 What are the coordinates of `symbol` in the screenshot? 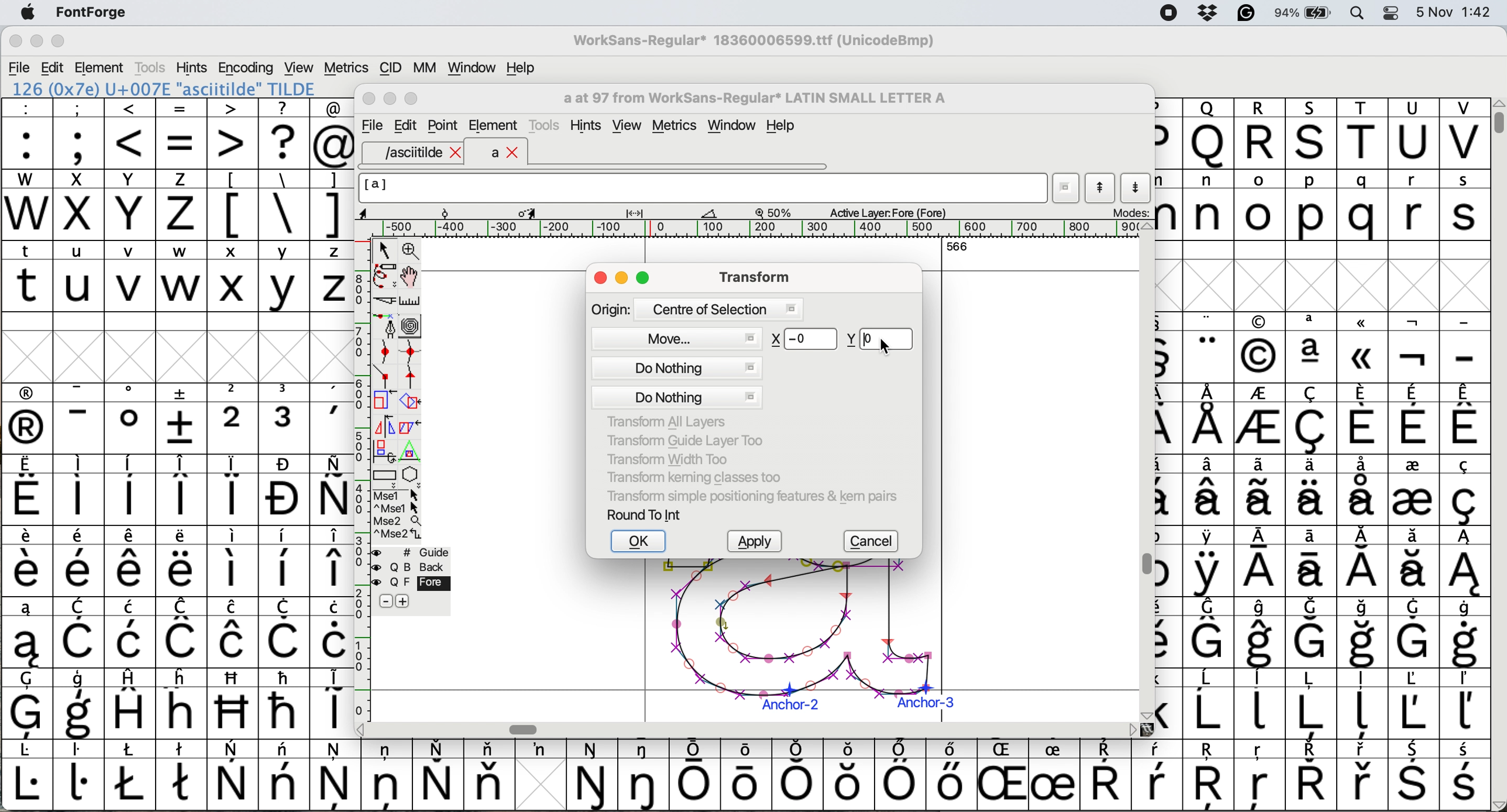 It's located at (1464, 633).